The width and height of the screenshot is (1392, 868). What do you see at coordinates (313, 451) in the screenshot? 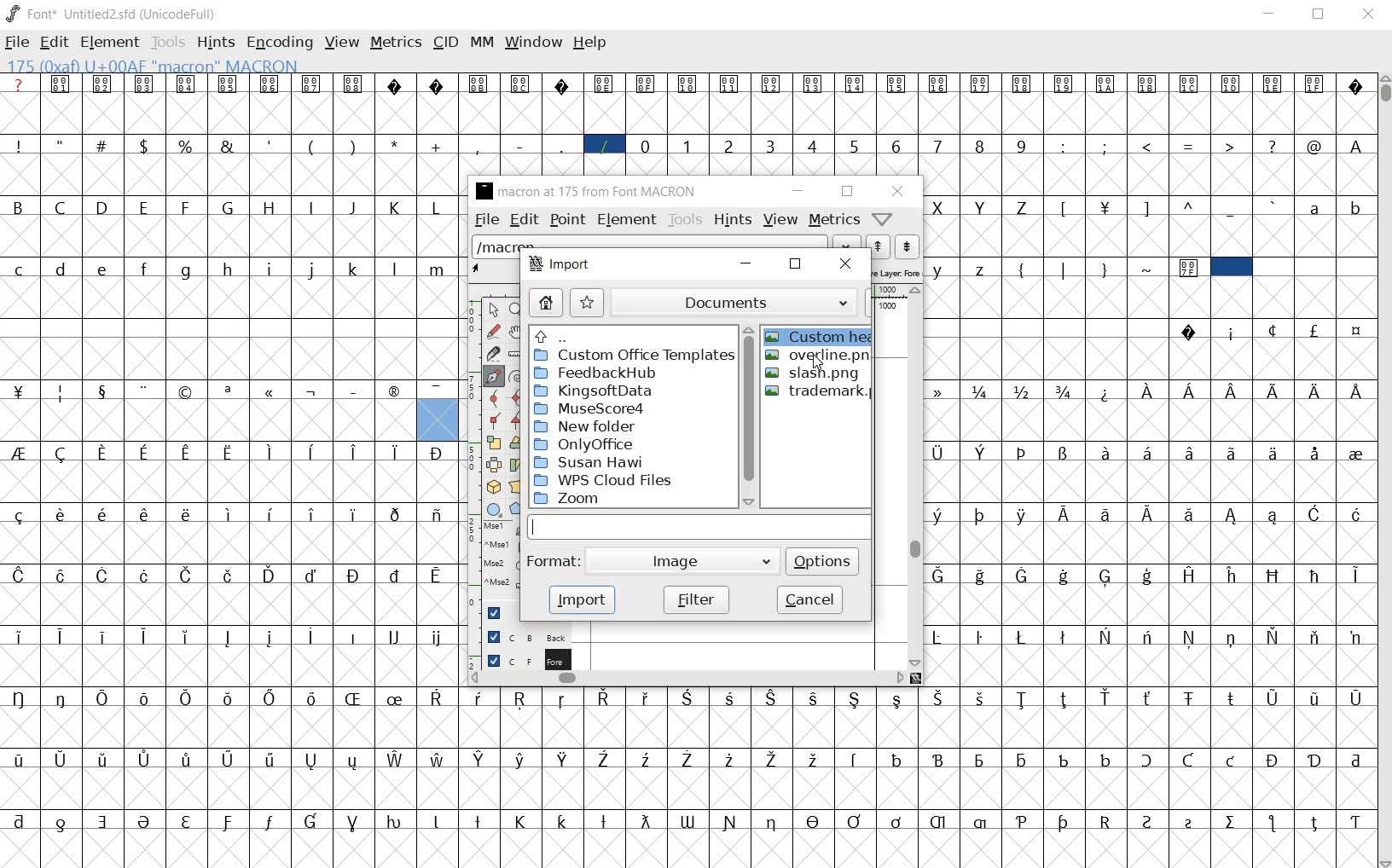
I see `Symbol` at bounding box center [313, 451].